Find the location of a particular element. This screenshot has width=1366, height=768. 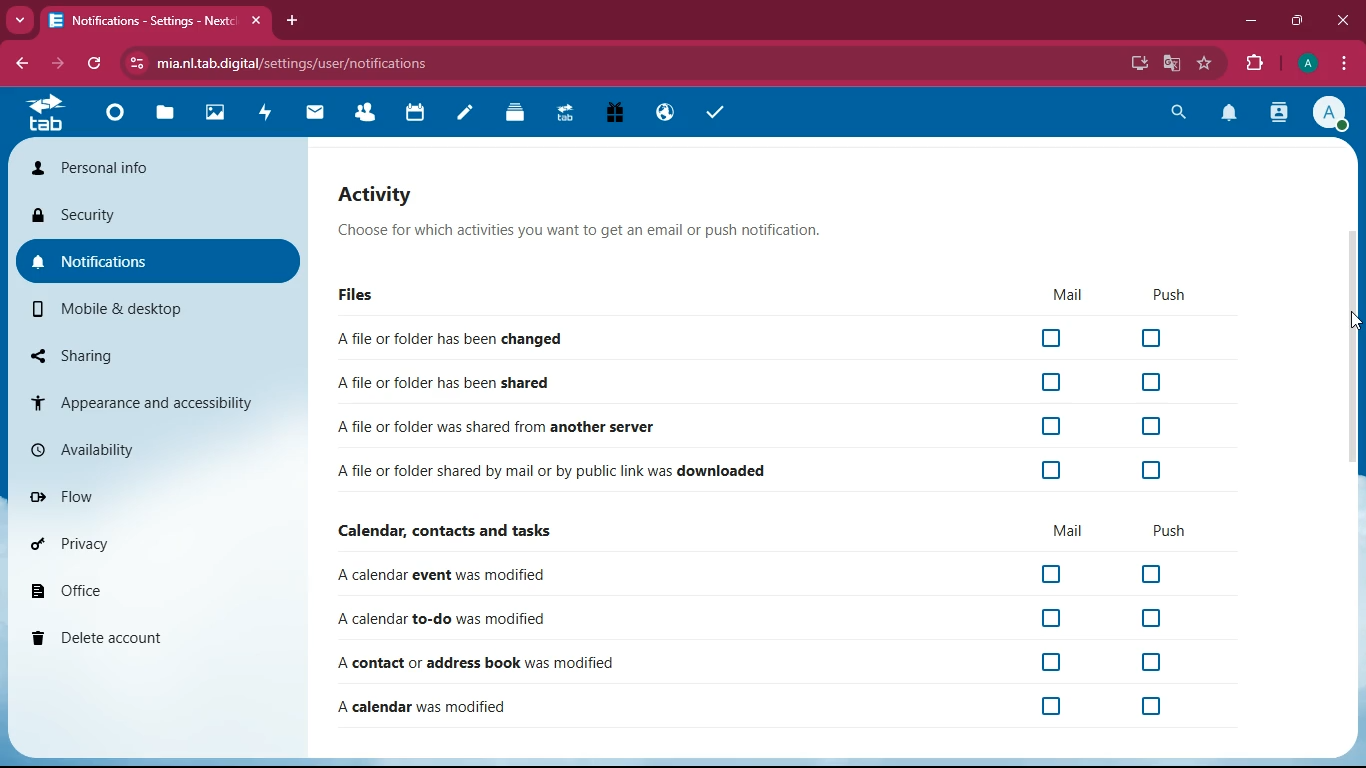

privacy is located at coordinates (155, 539).